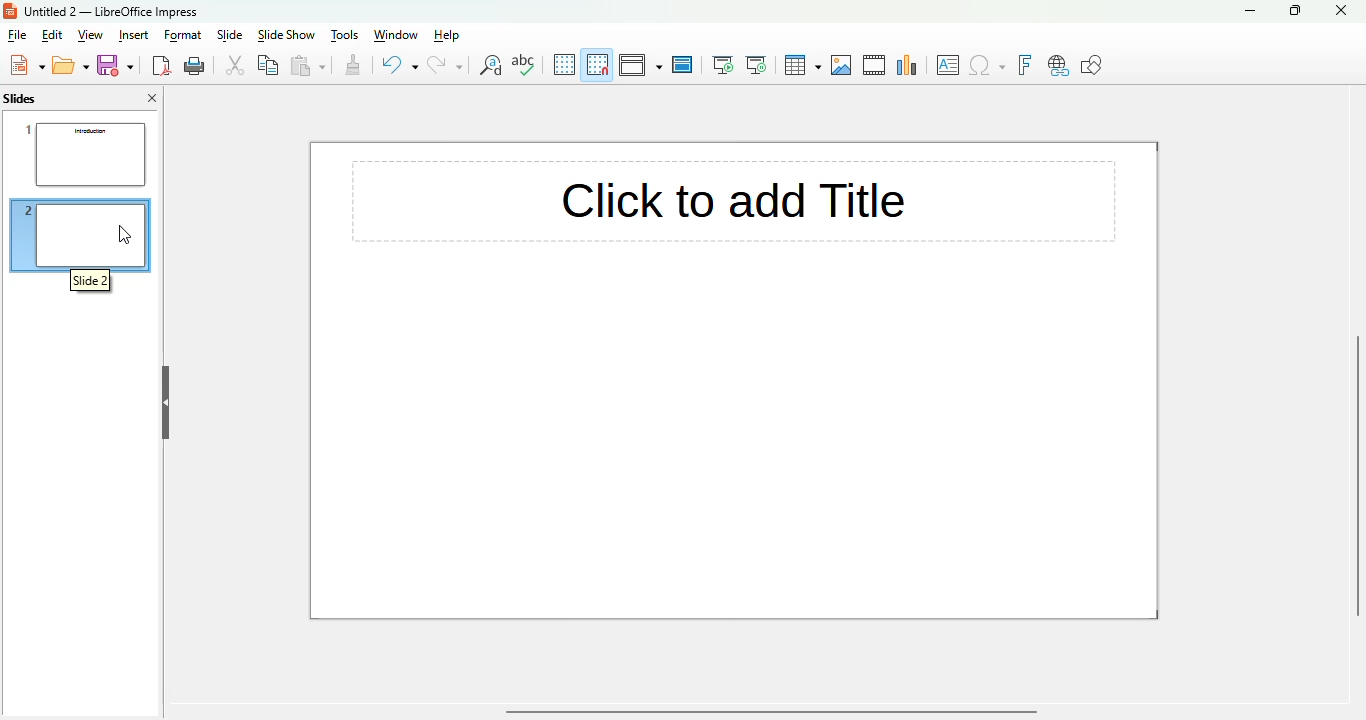 The height and width of the screenshot is (720, 1366). I want to click on view, so click(90, 35).